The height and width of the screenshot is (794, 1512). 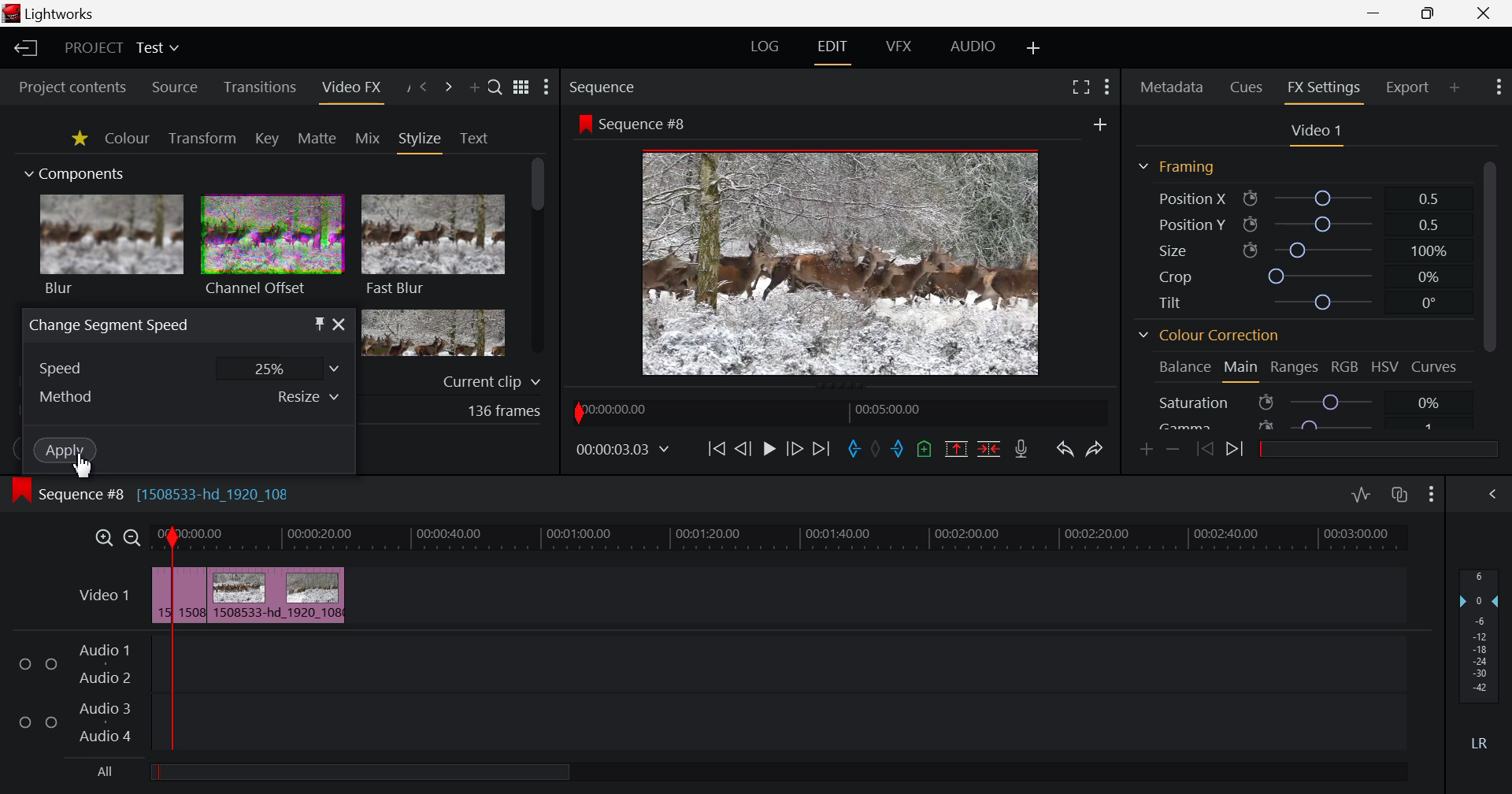 I want to click on Matte, so click(x=317, y=139).